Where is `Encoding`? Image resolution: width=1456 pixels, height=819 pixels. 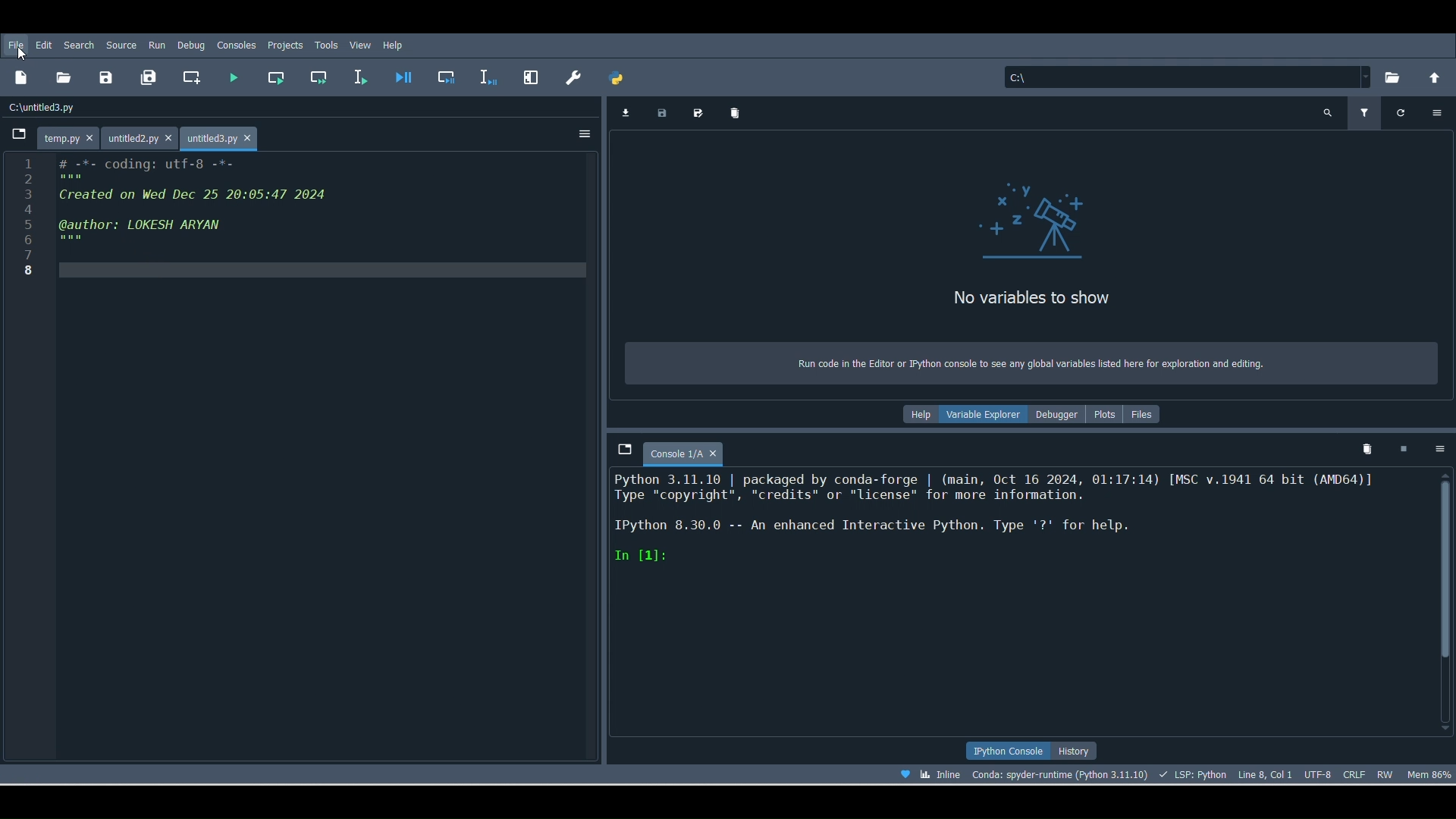
Encoding is located at coordinates (1316, 773).